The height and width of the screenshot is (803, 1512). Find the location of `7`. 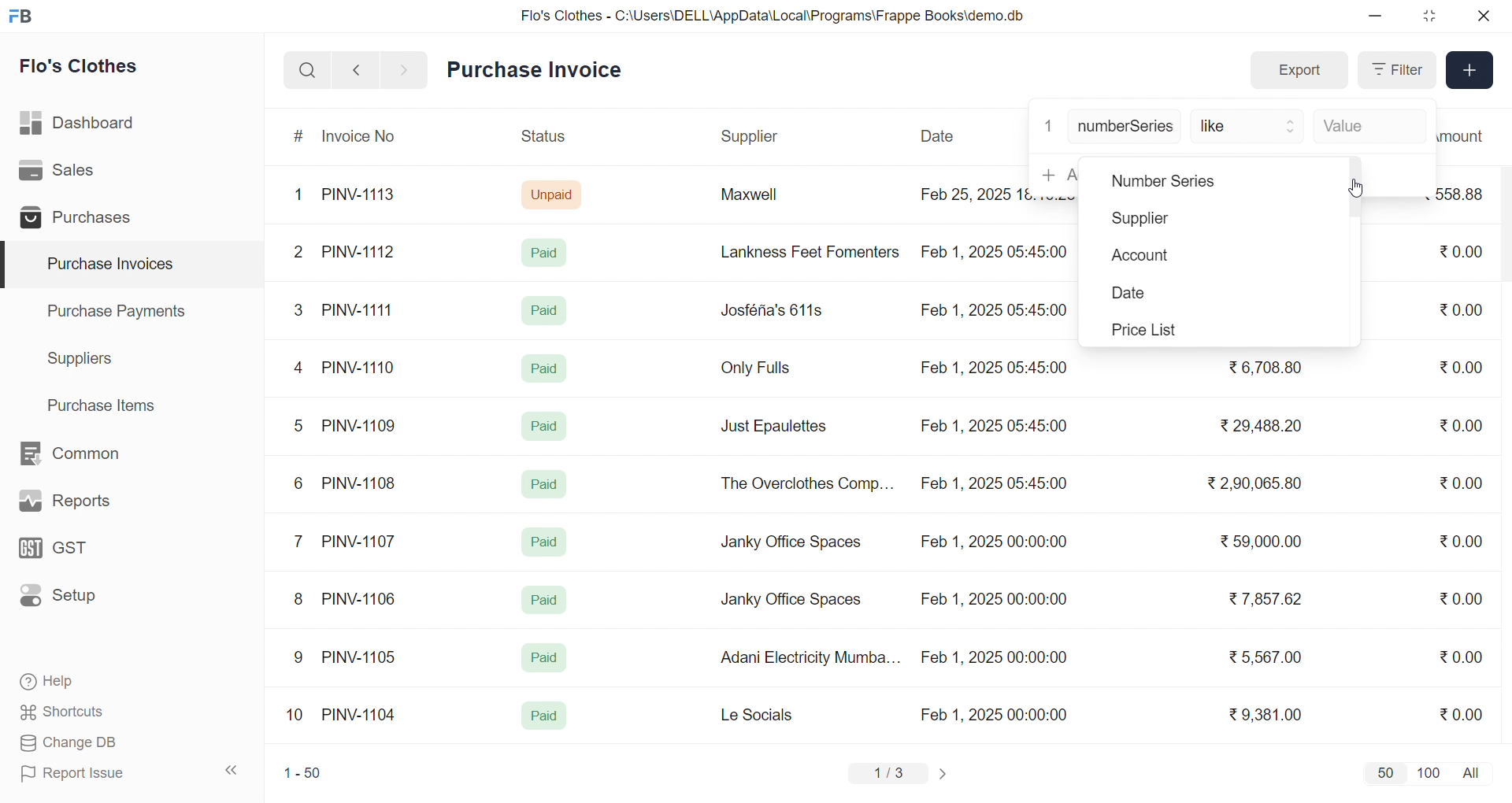

7 is located at coordinates (302, 540).